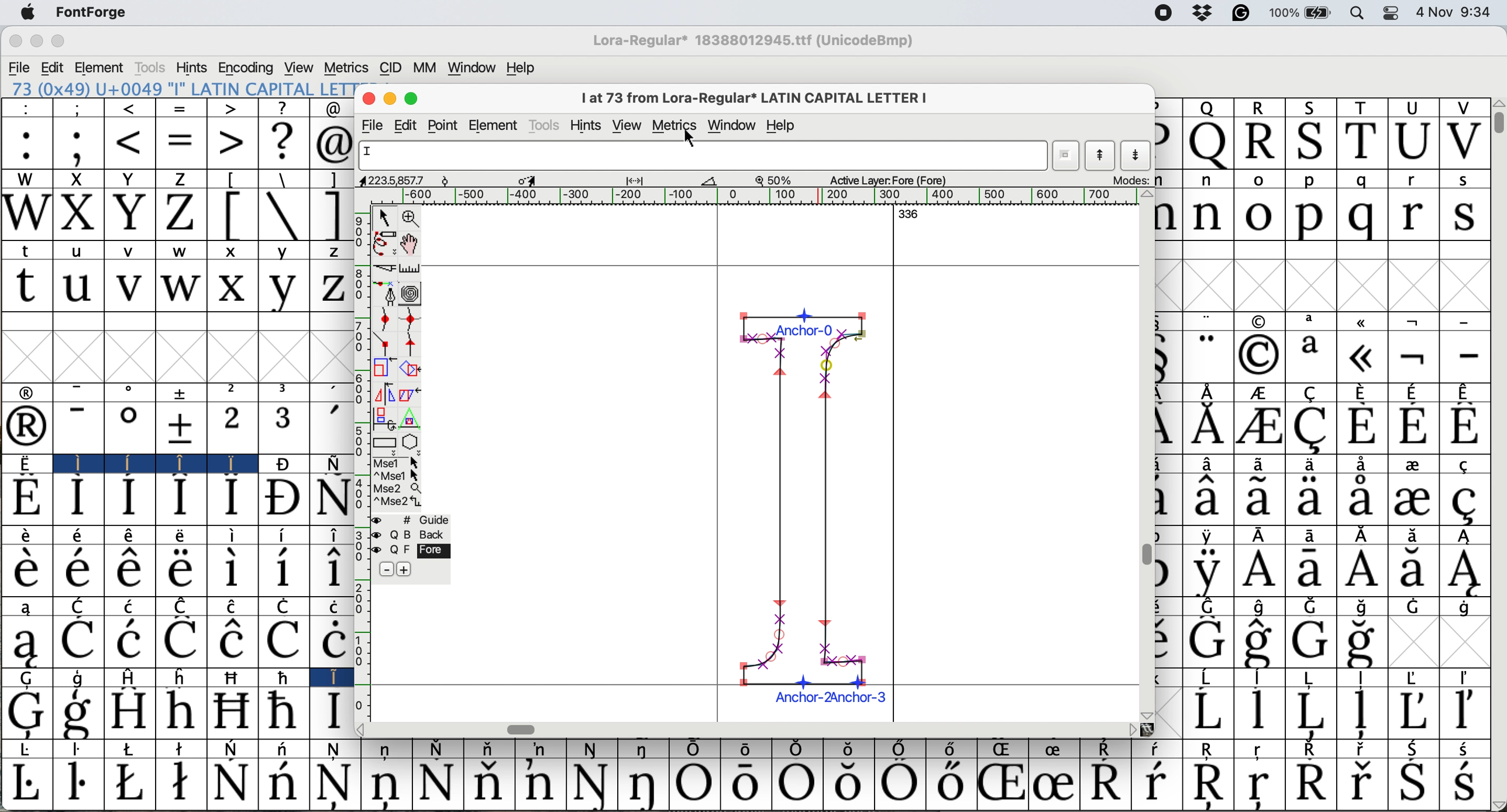 Image resolution: width=1507 pixels, height=812 pixels. Describe the element at coordinates (1312, 356) in the screenshot. I see `a` at that location.